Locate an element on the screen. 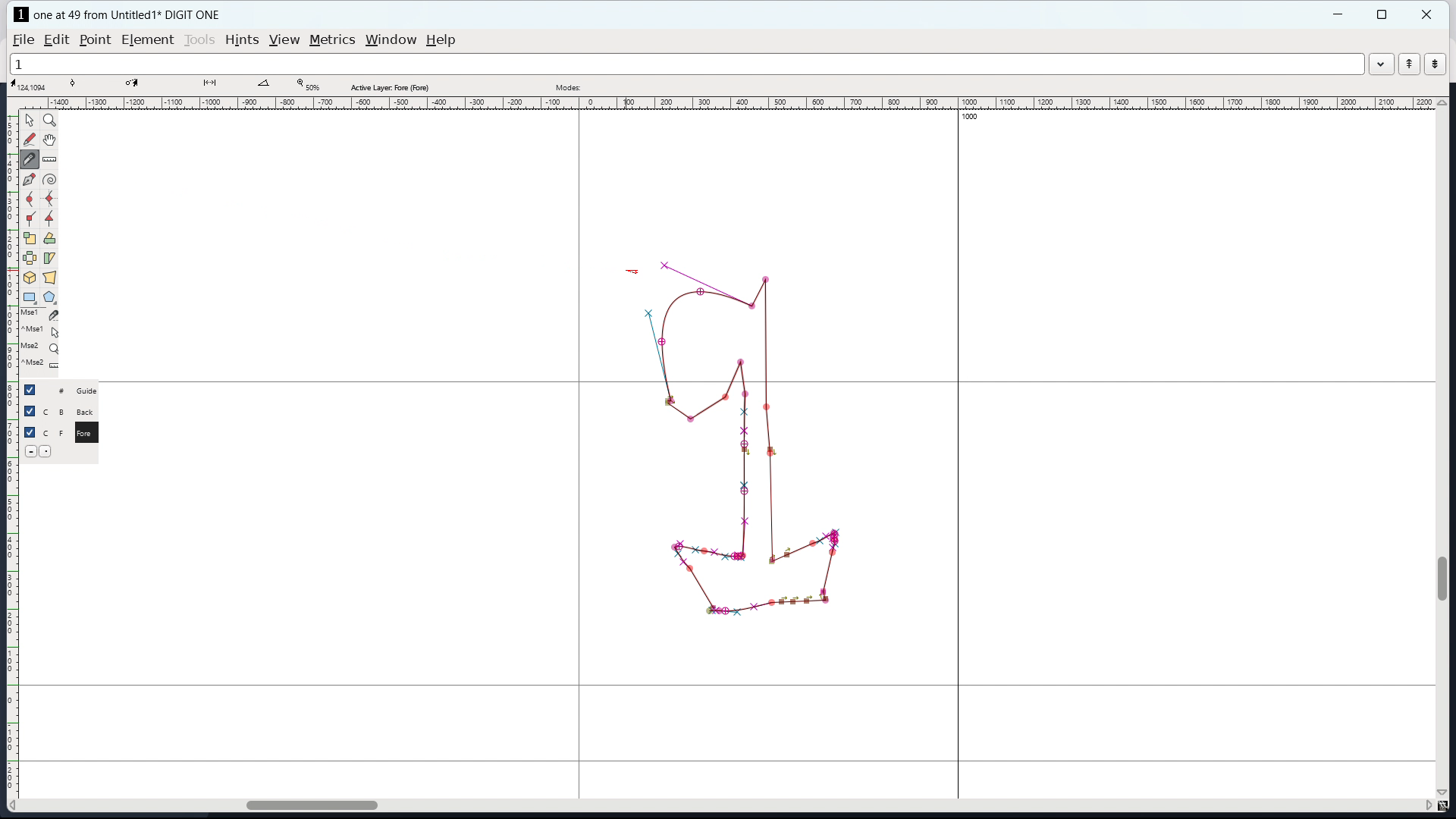 Image resolution: width=1456 pixels, height=819 pixels. measurendistance, angle between points is located at coordinates (53, 158).